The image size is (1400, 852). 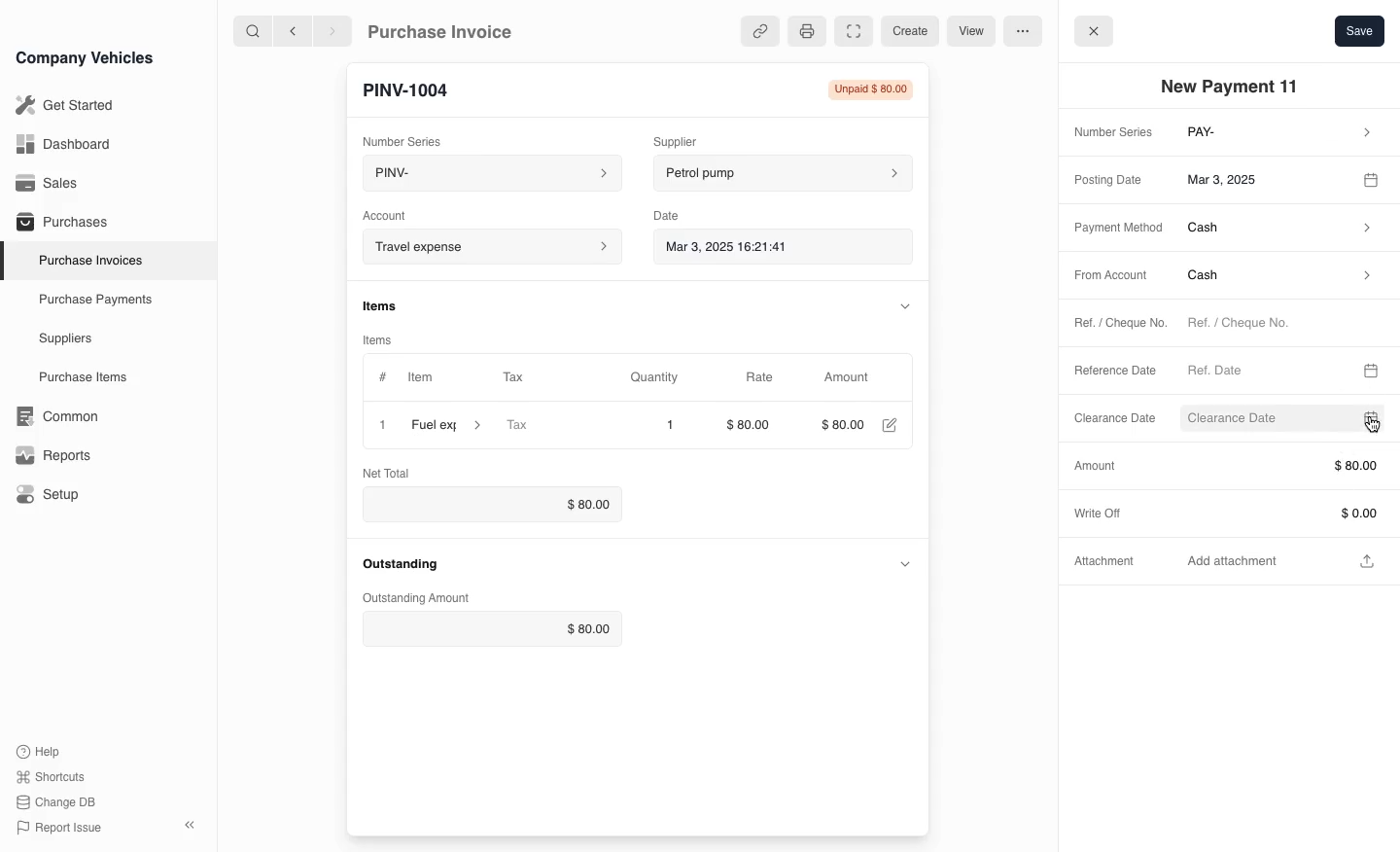 I want to click on Tax, so click(x=530, y=378).